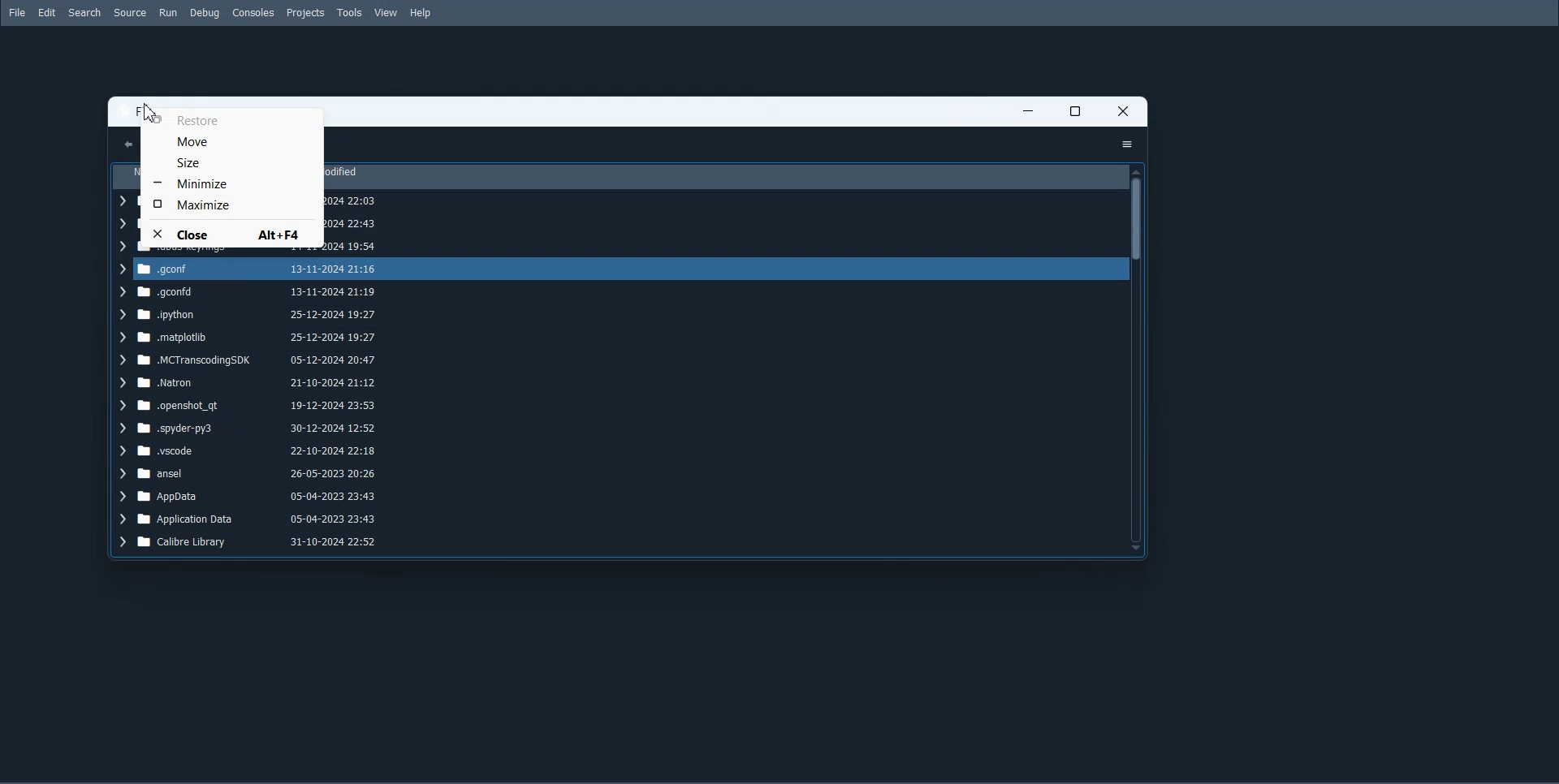 The image size is (1559, 784). I want to click on AppData 05-04-2023 23:43, so click(249, 498).